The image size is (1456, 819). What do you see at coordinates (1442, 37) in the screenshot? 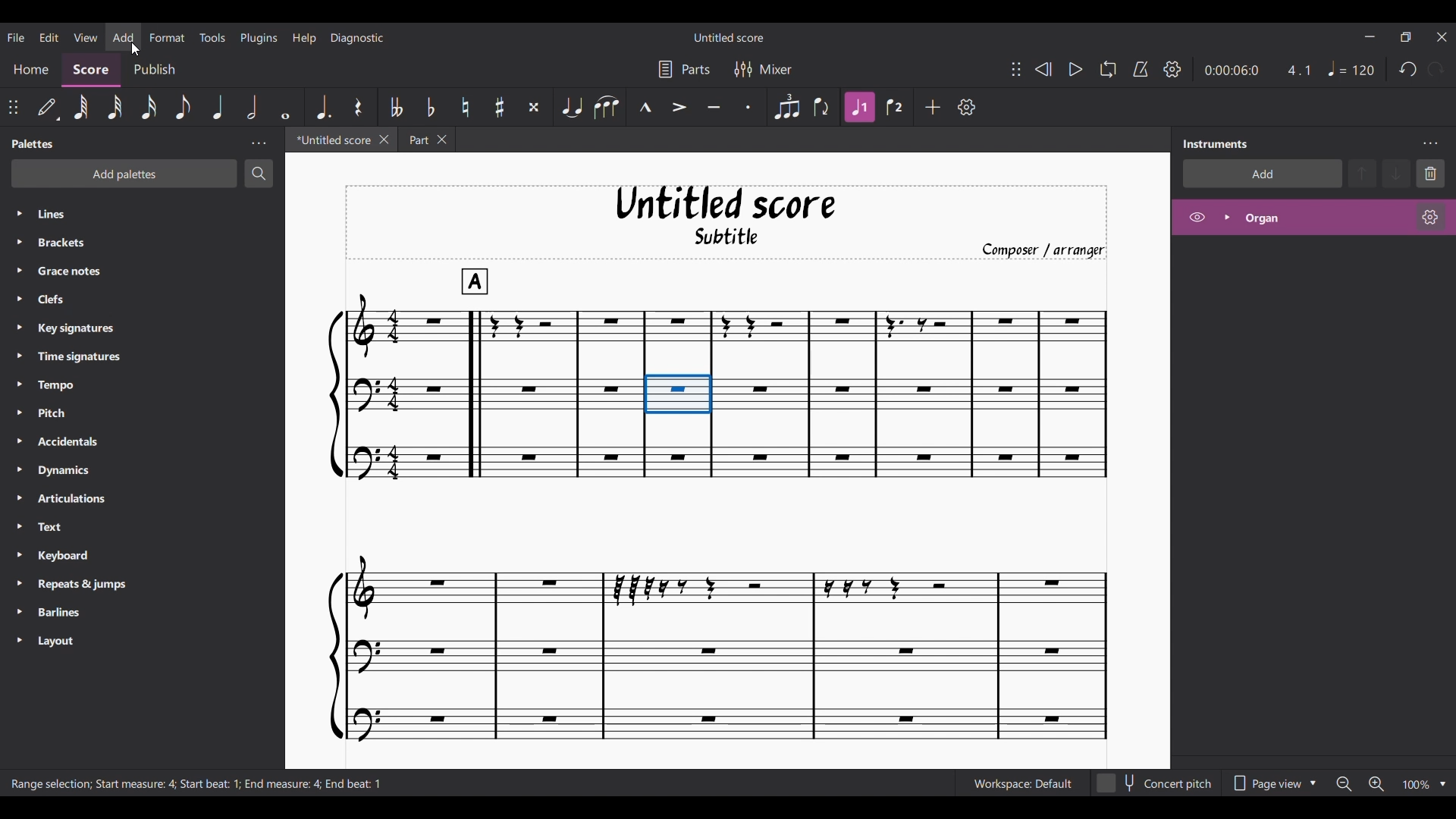
I see `Close interface` at bounding box center [1442, 37].